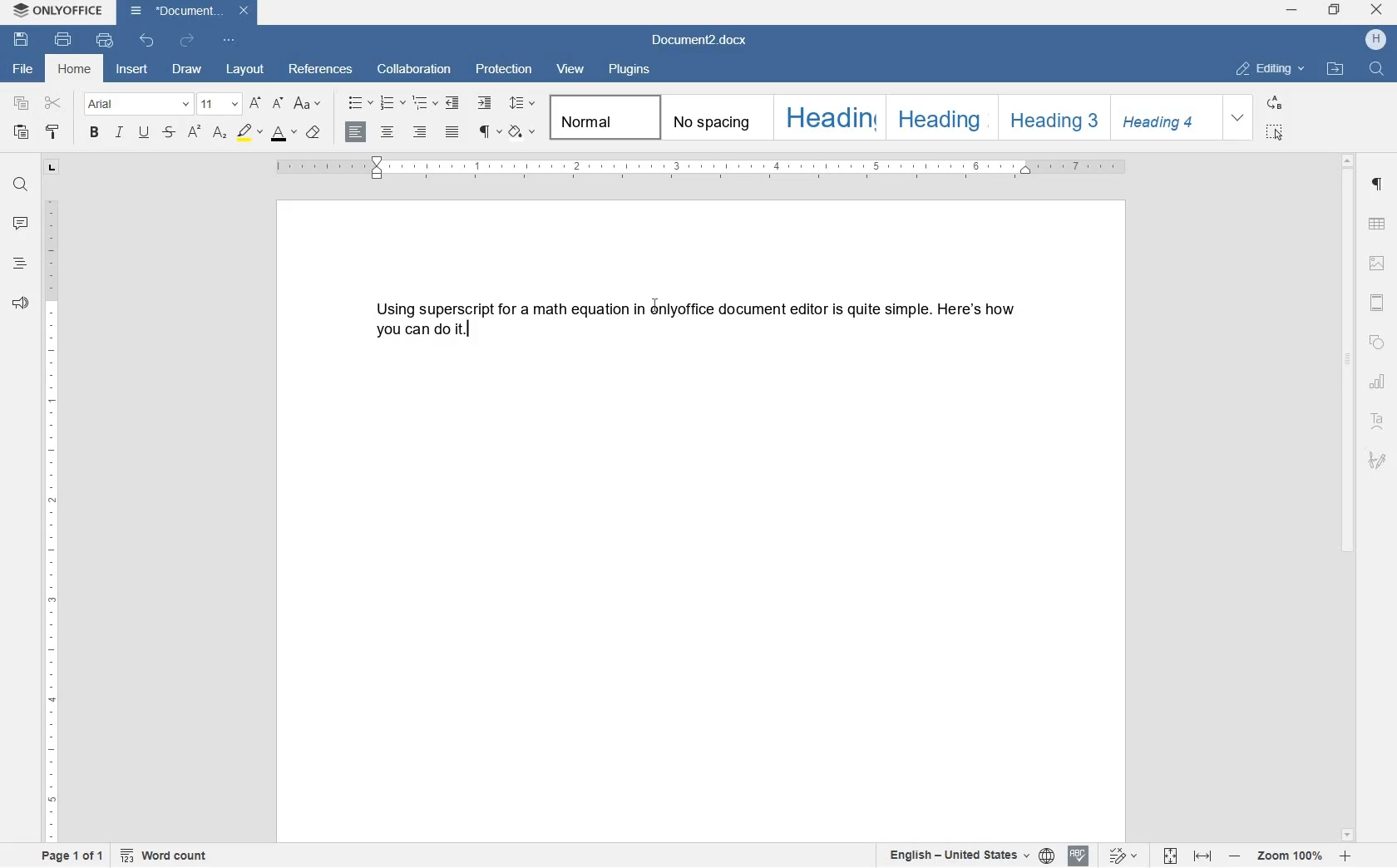 The height and width of the screenshot is (868, 1397). I want to click on fit to page or fit to width, so click(1190, 856).